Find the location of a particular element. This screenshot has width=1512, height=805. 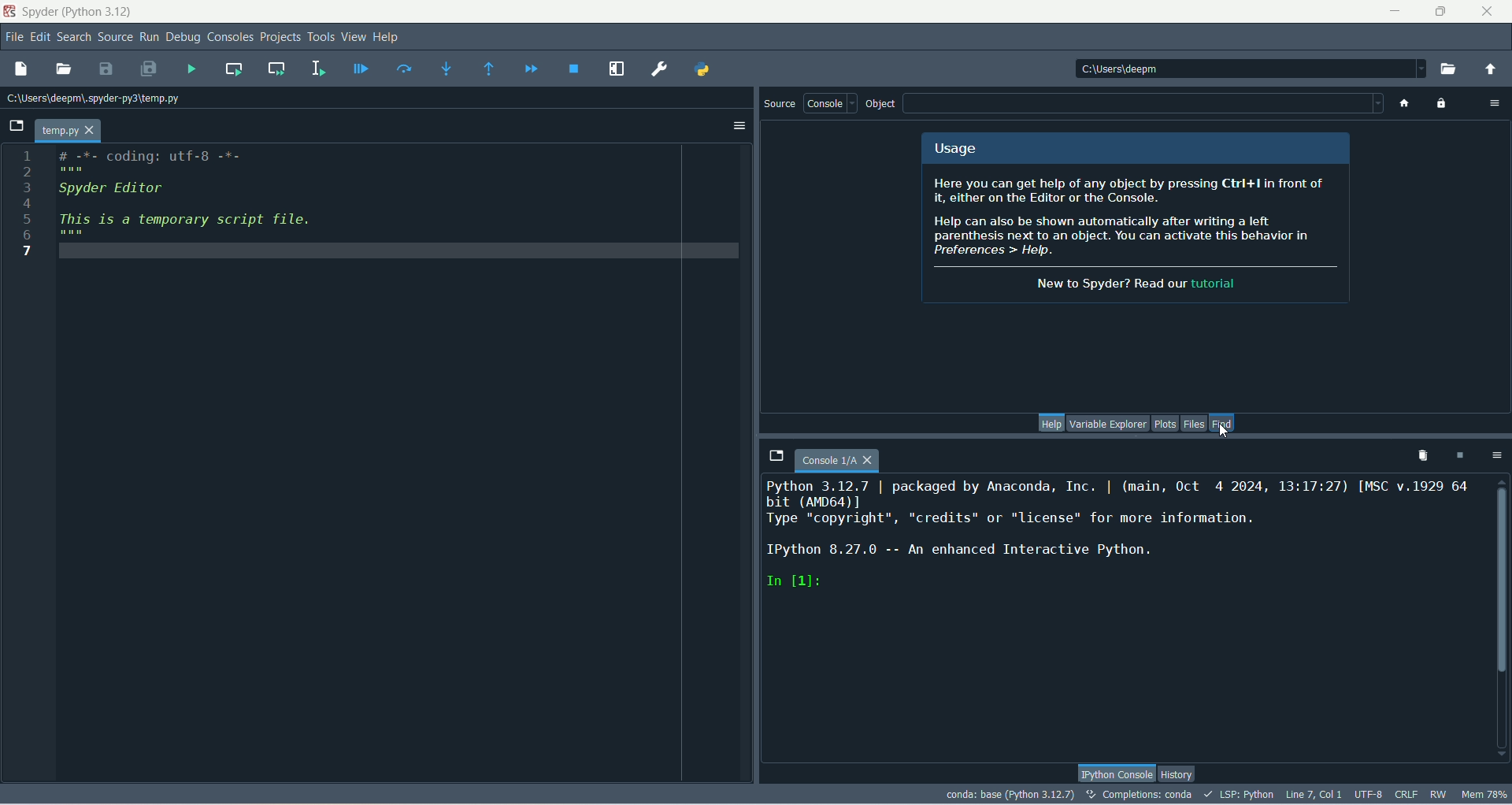

location is located at coordinates (1248, 69).